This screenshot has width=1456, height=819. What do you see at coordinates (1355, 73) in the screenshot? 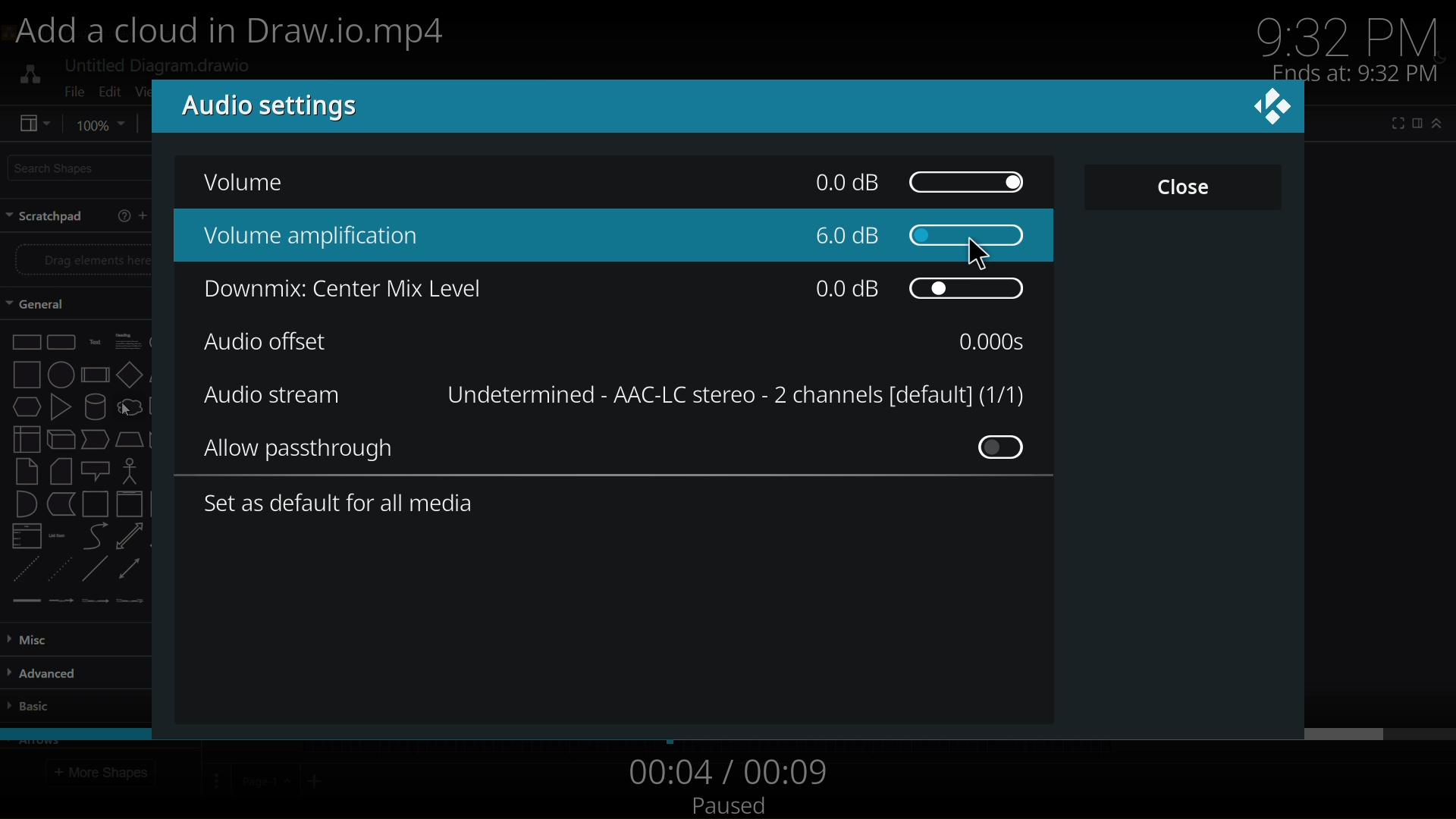
I see `Ends at: 9:32 PM` at bounding box center [1355, 73].